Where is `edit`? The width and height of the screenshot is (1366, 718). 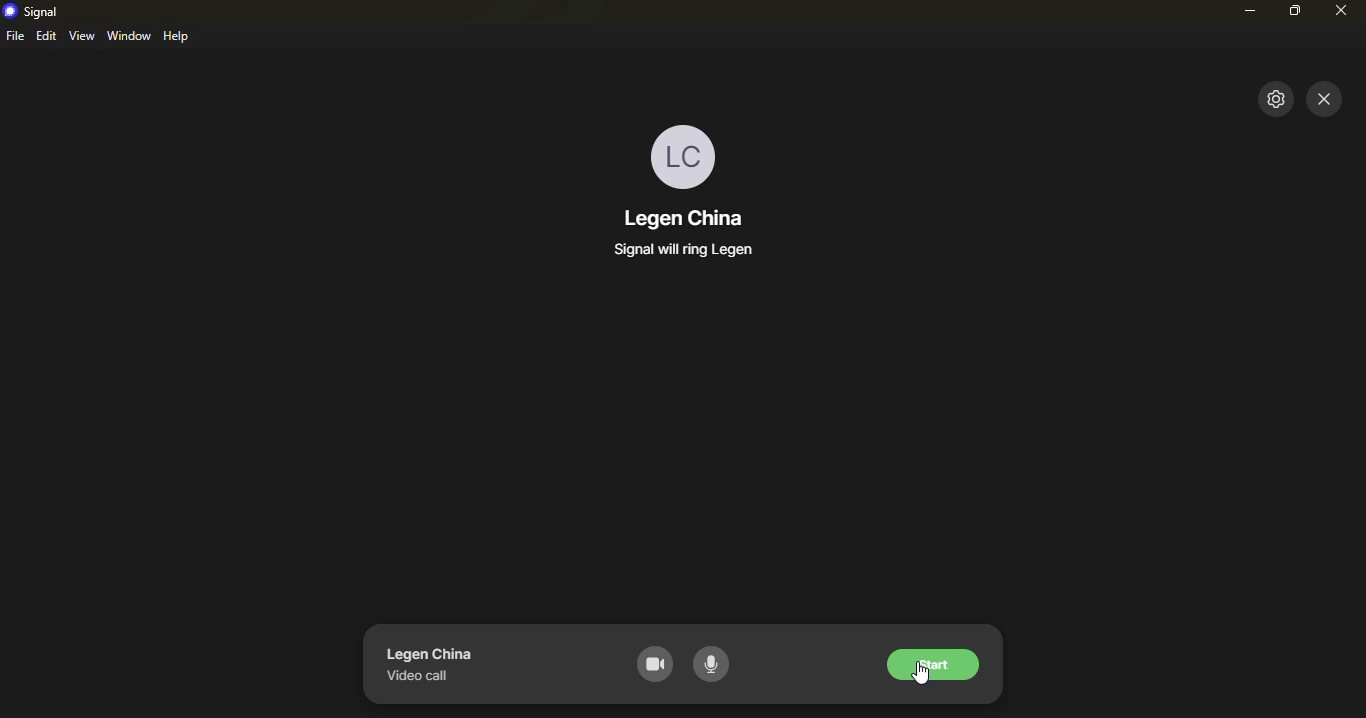
edit is located at coordinates (46, 35).